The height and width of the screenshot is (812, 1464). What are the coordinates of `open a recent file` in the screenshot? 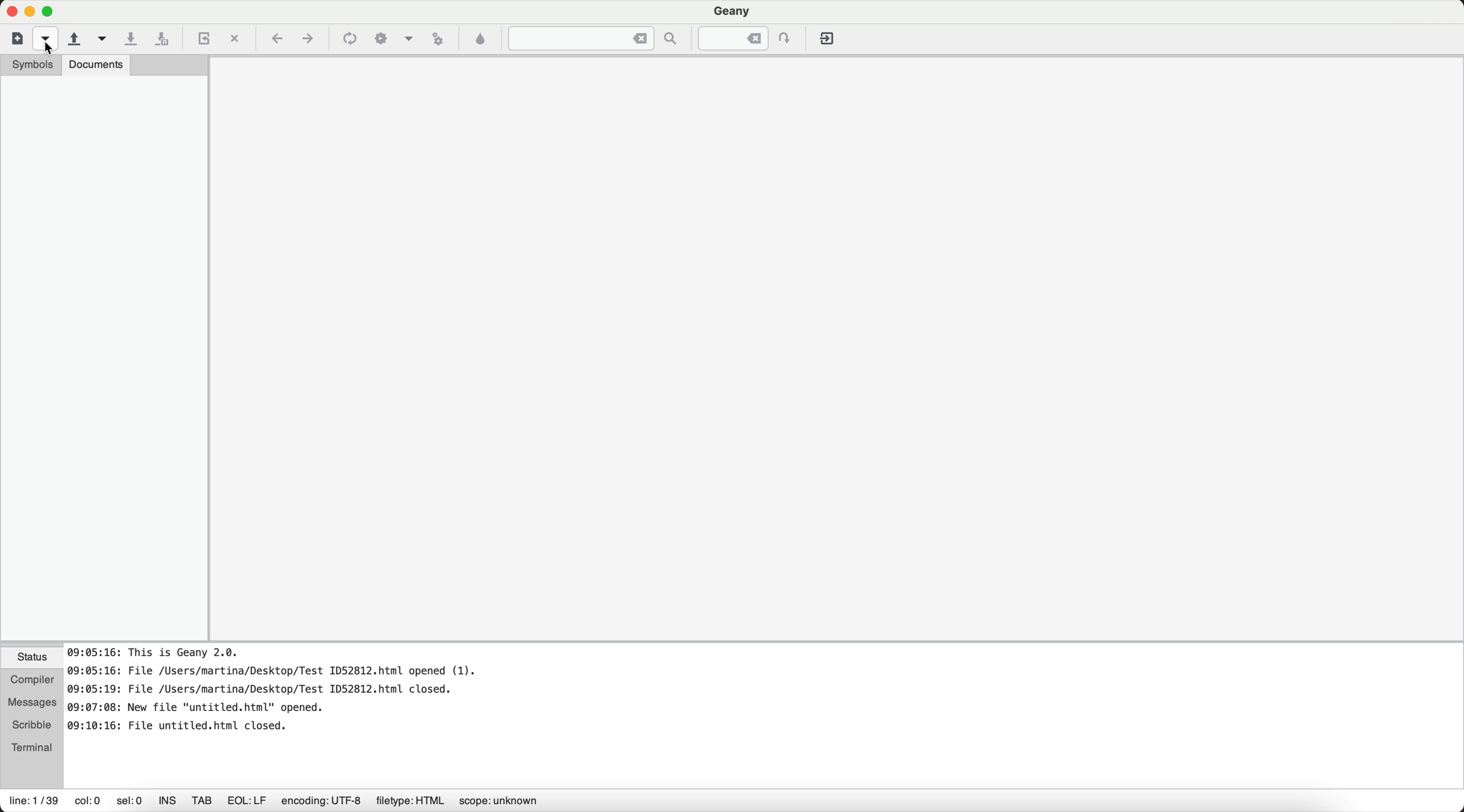 It's located at (101, 39).